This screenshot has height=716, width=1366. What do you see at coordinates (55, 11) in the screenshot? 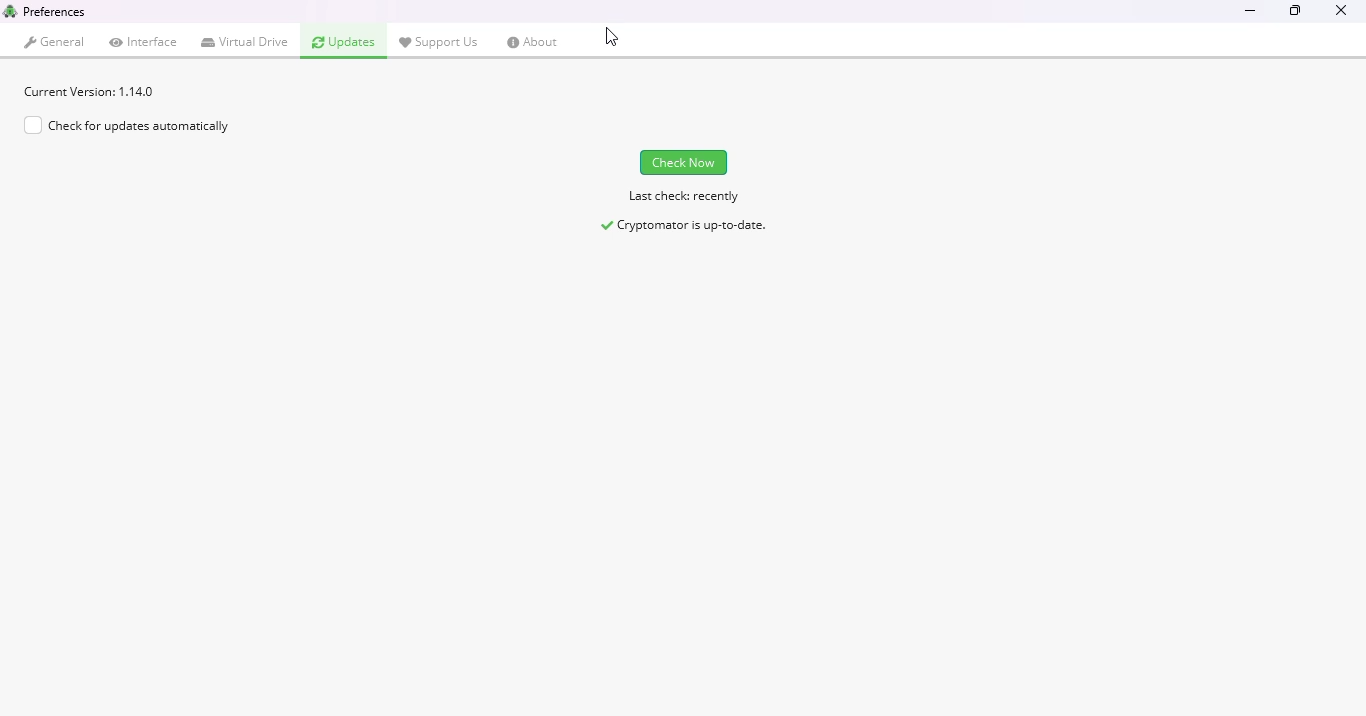
I see `preferences` at bounding box center [55, 11].